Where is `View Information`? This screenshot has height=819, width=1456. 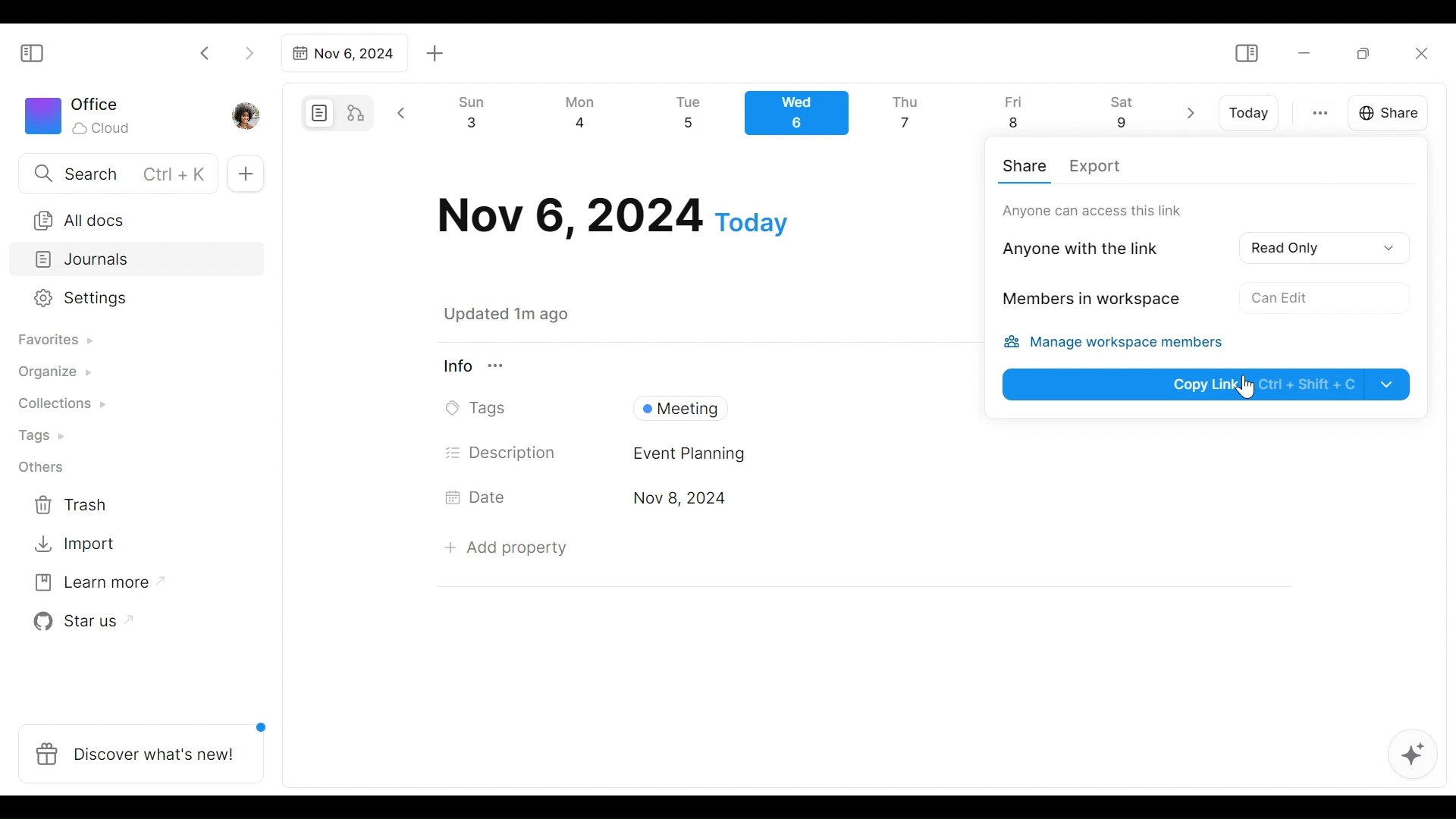 View Information is located at coordinates (700, 366).